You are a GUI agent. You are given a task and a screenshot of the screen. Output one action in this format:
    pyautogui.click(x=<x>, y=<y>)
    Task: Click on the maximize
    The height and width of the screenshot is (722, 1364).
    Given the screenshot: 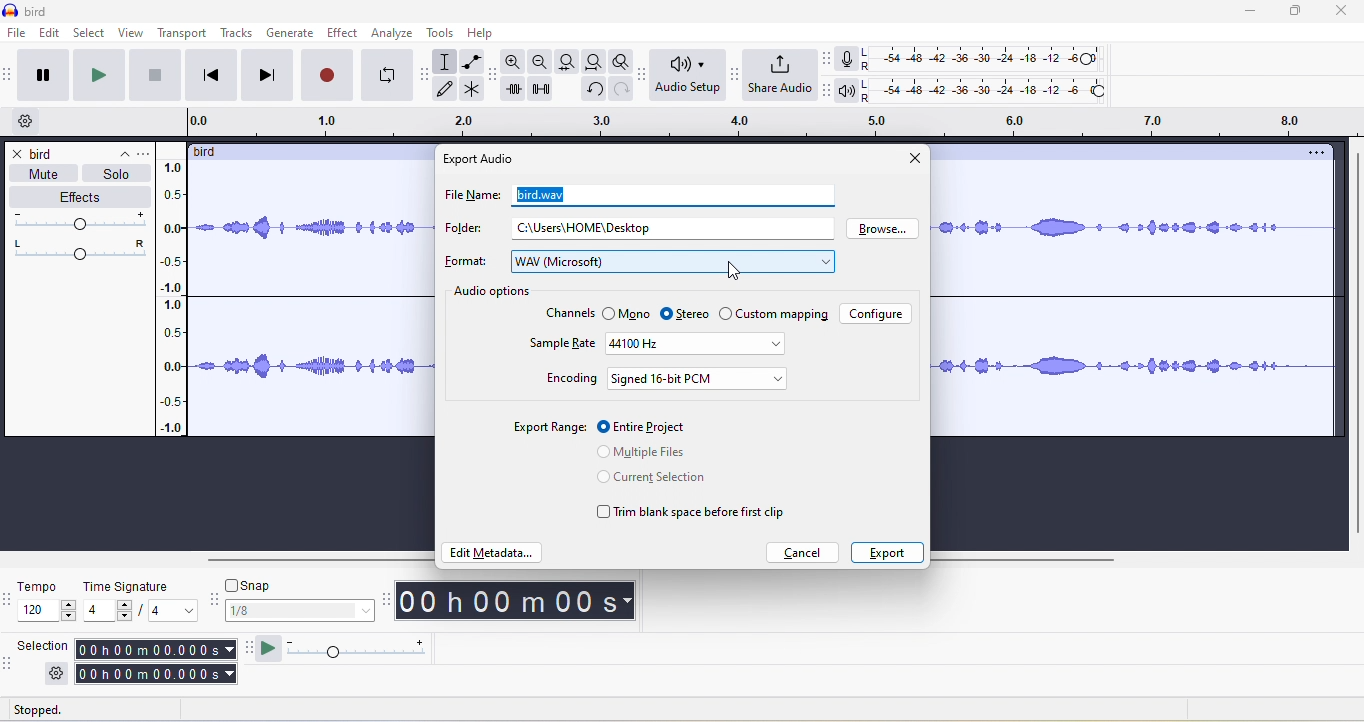 What is the action you would take?
    pyautogui.click(x=1304, y=15)
    